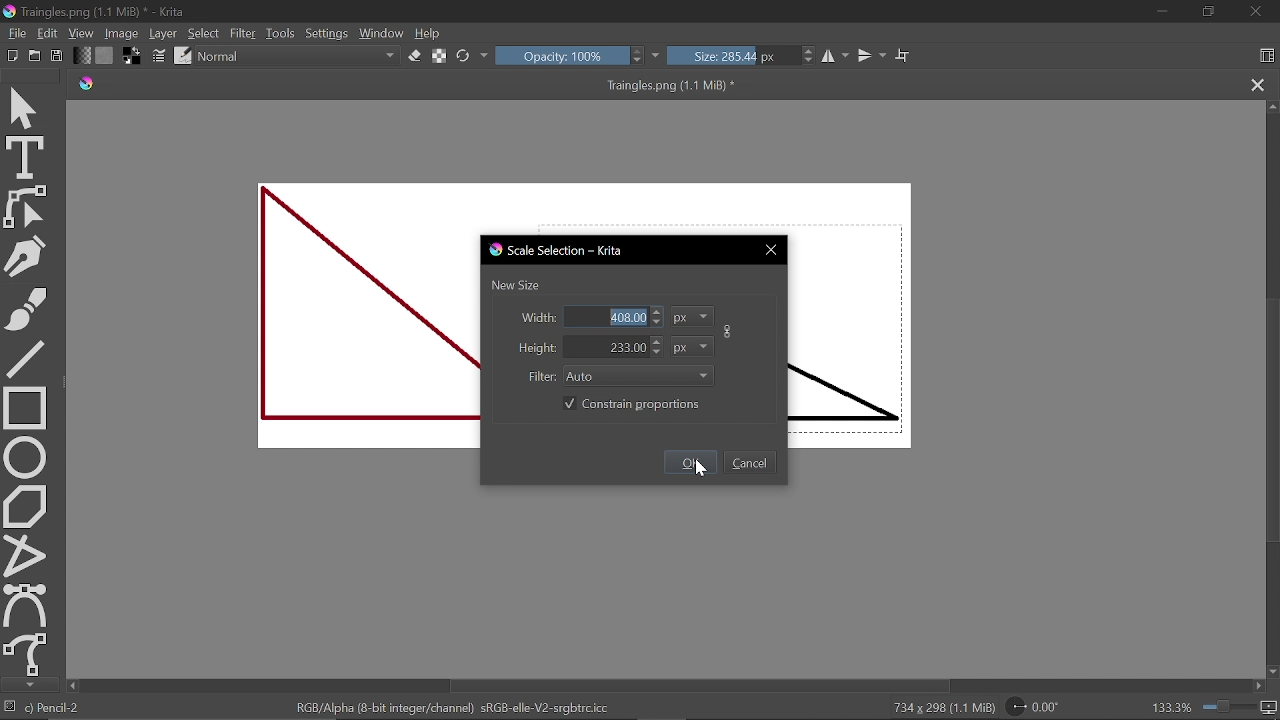 The height and width of the screenshot is (720, 1280). Describe the element at coordinates (26, 456) in the screenshot. I see `Ellipse tool` at that location.